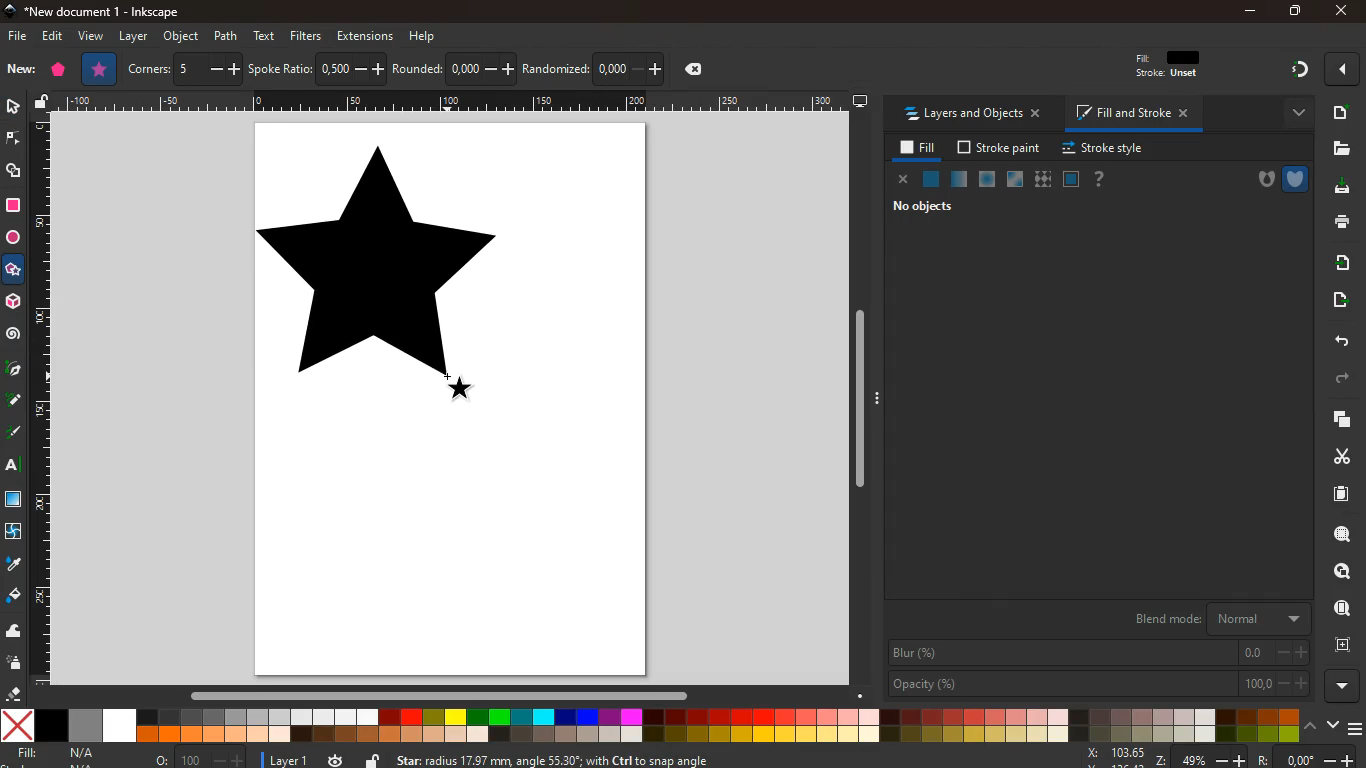 The height and width of the screenshot is (768, 1366). Describe the element at coordinates (53, 37) in the screenshot. I see `edit` at that location.